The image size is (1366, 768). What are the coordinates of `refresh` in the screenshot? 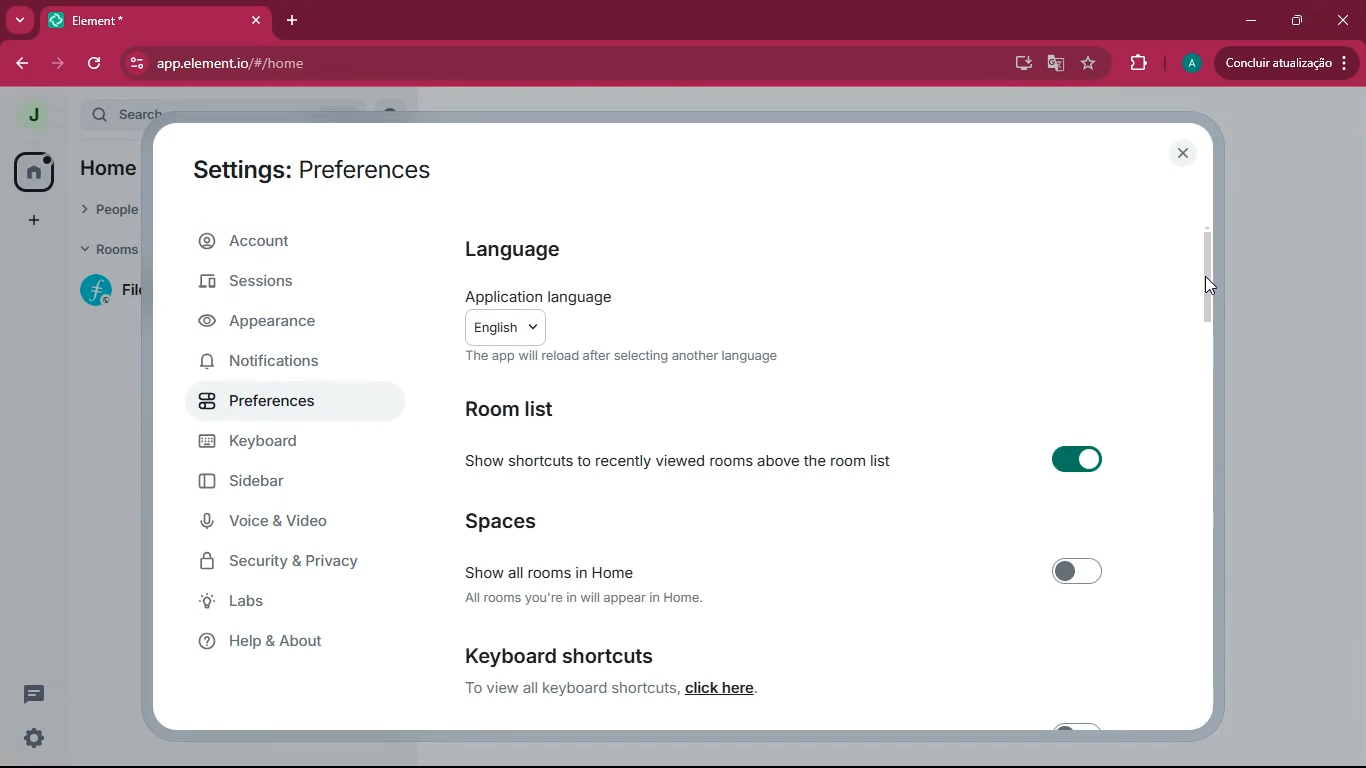 It's located at (97, 62).